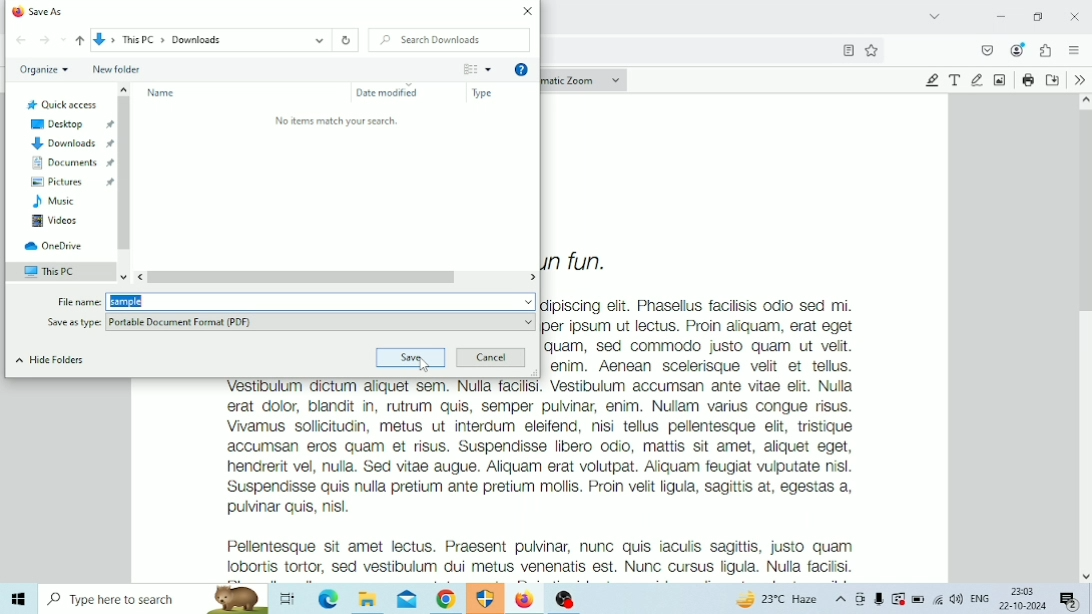 The height and width of the screenshot is (614, 1092). I want to click on Time, so click(1021, 591).